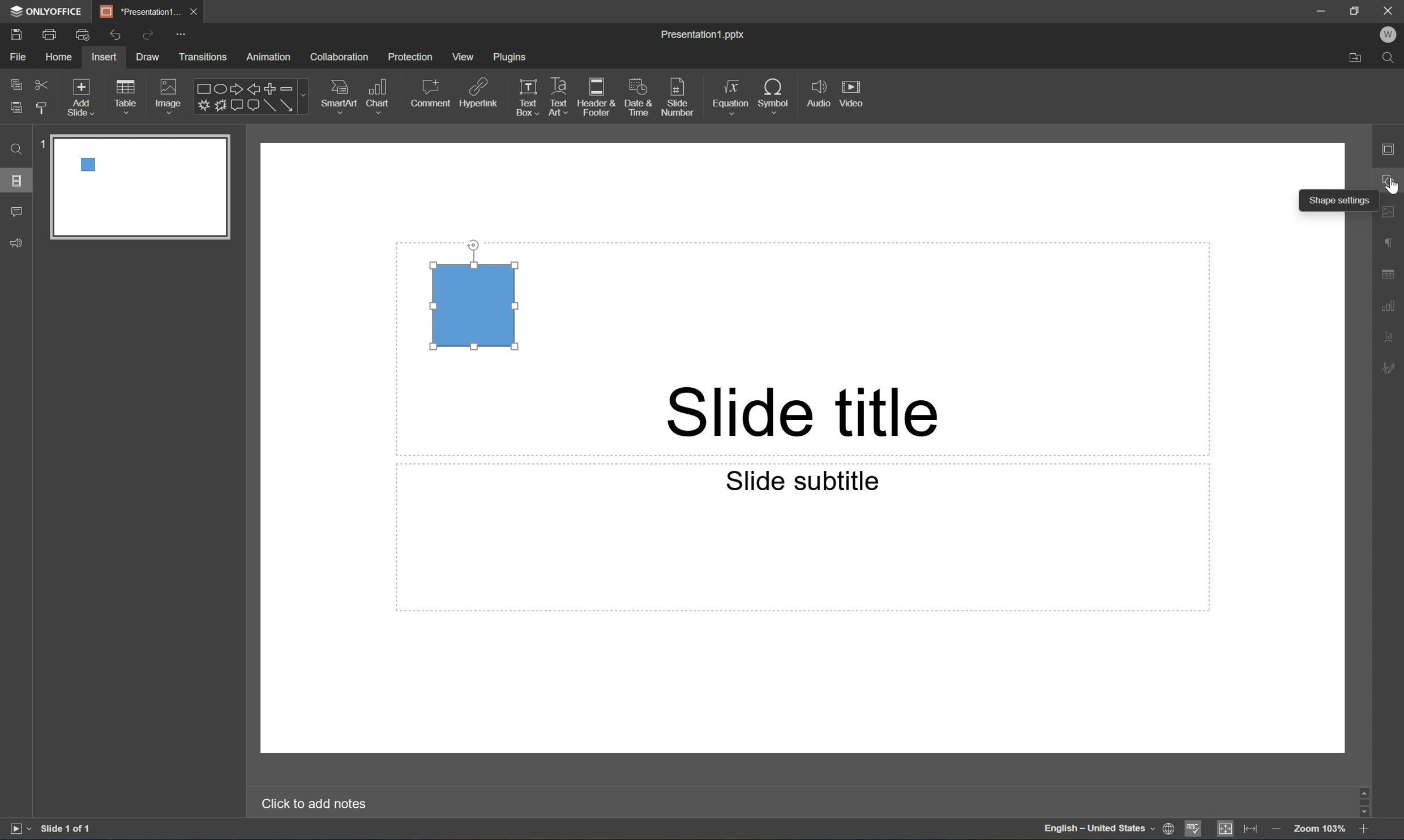 The image size is (1404, 840). Describe the element at coordinates (705, 36) in the screenshot. I see `Presentation1.pptx` at that location.